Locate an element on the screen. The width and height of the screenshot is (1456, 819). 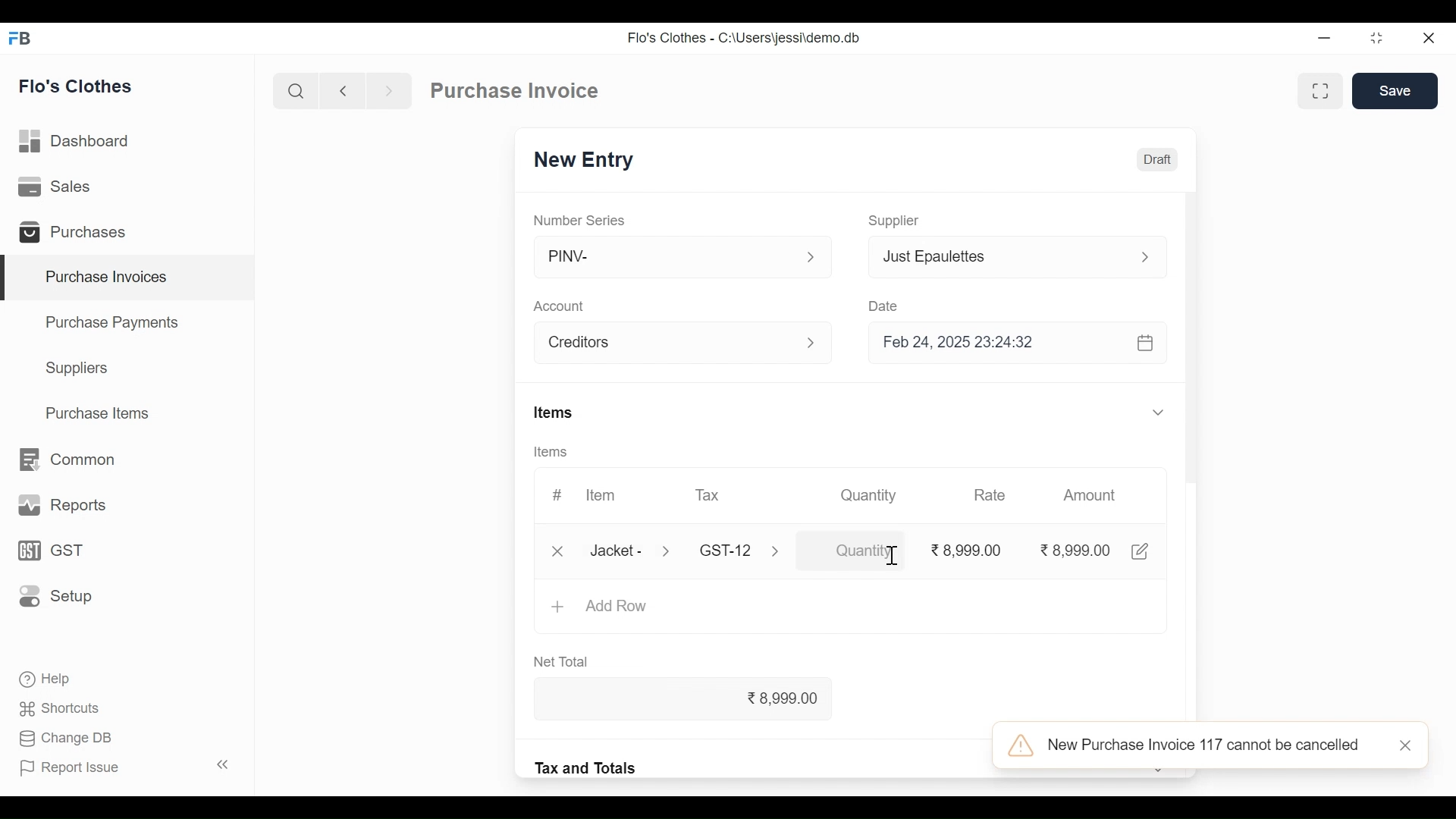
Report Issue is located at coordinates (126, 766).